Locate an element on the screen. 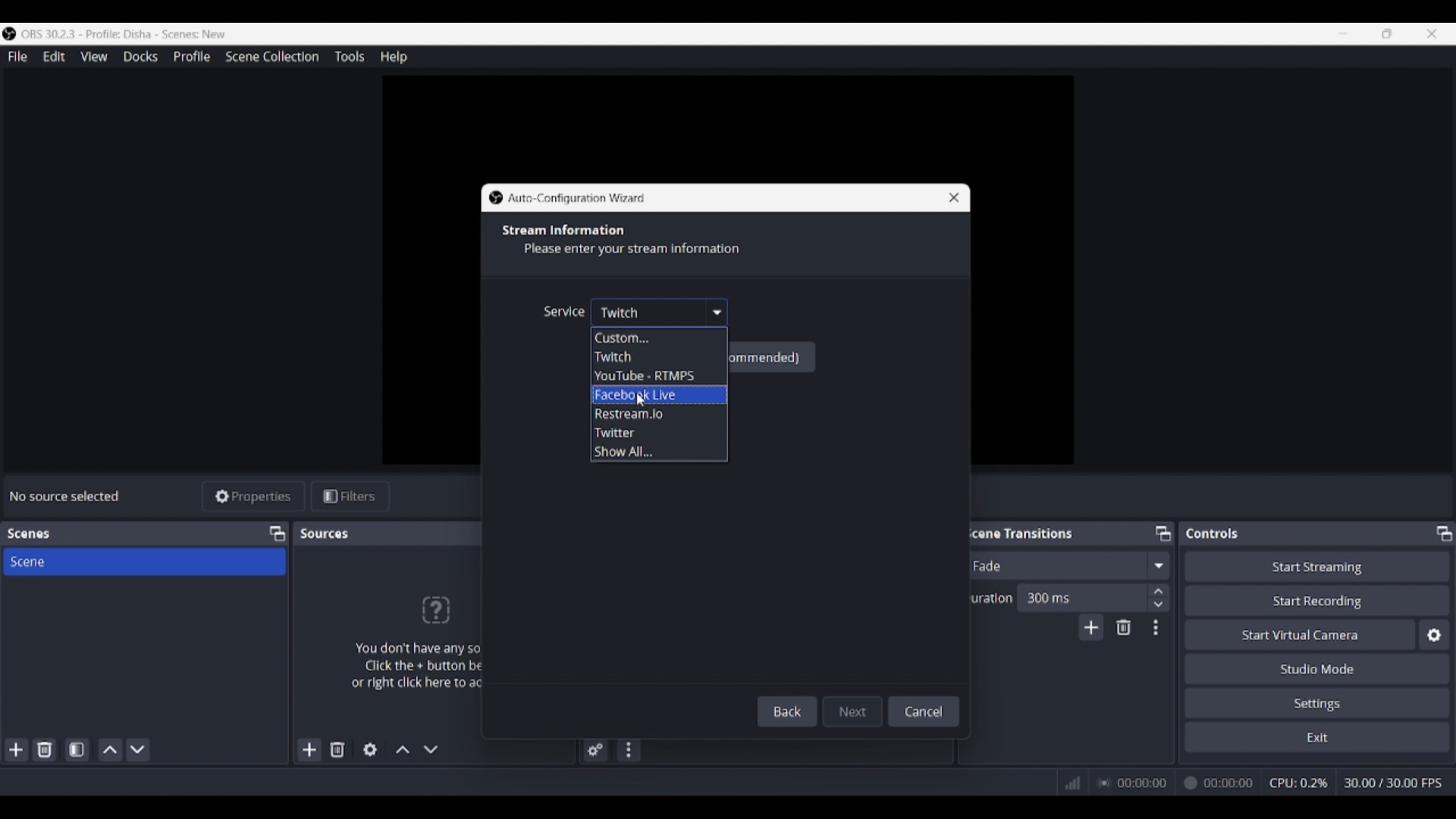 This screenshot has height=819, width=1456. Source status is located at coordinates (67, 496).